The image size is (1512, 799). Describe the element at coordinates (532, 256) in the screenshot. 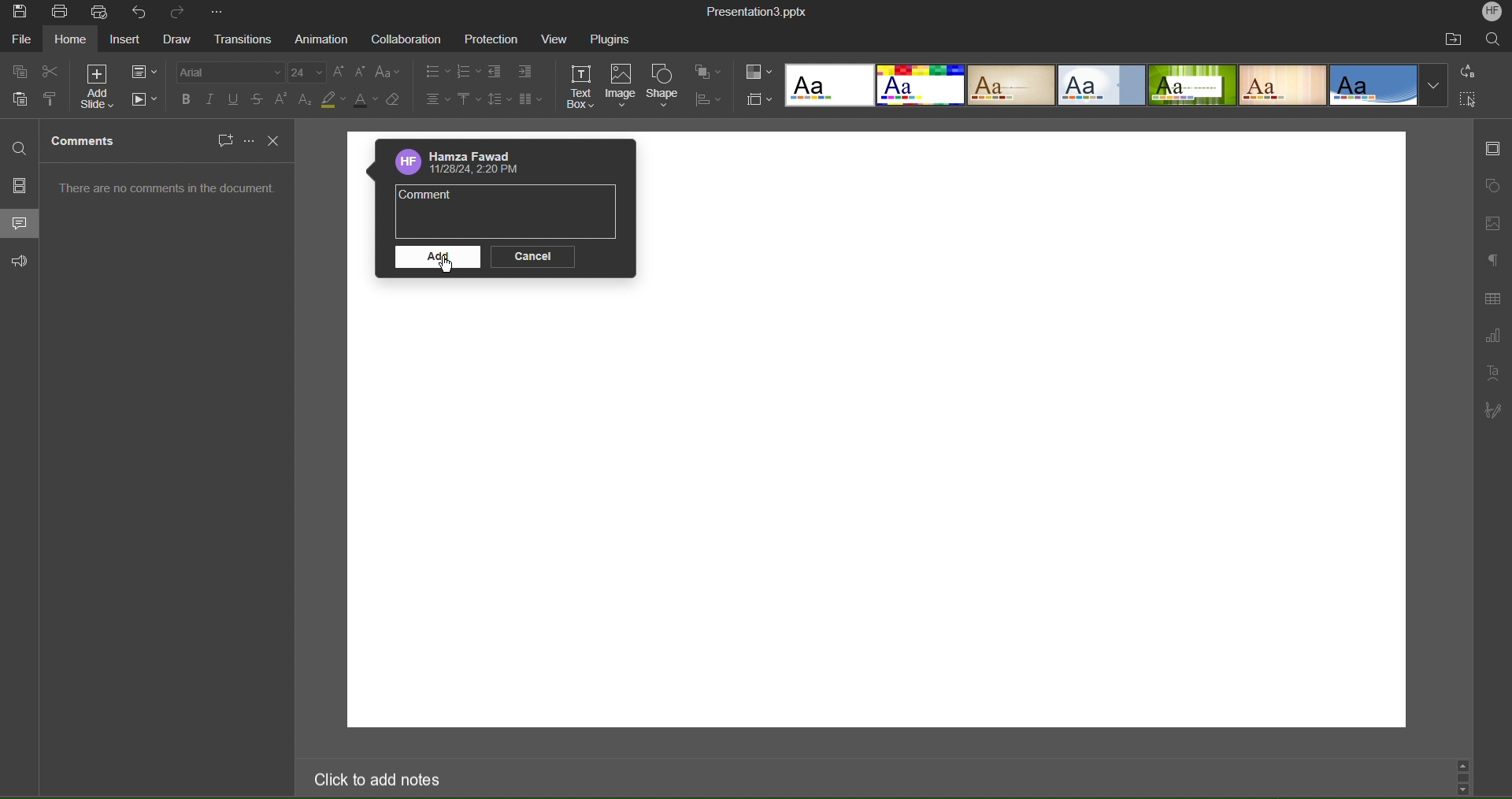

I see `Cancel` at that location.